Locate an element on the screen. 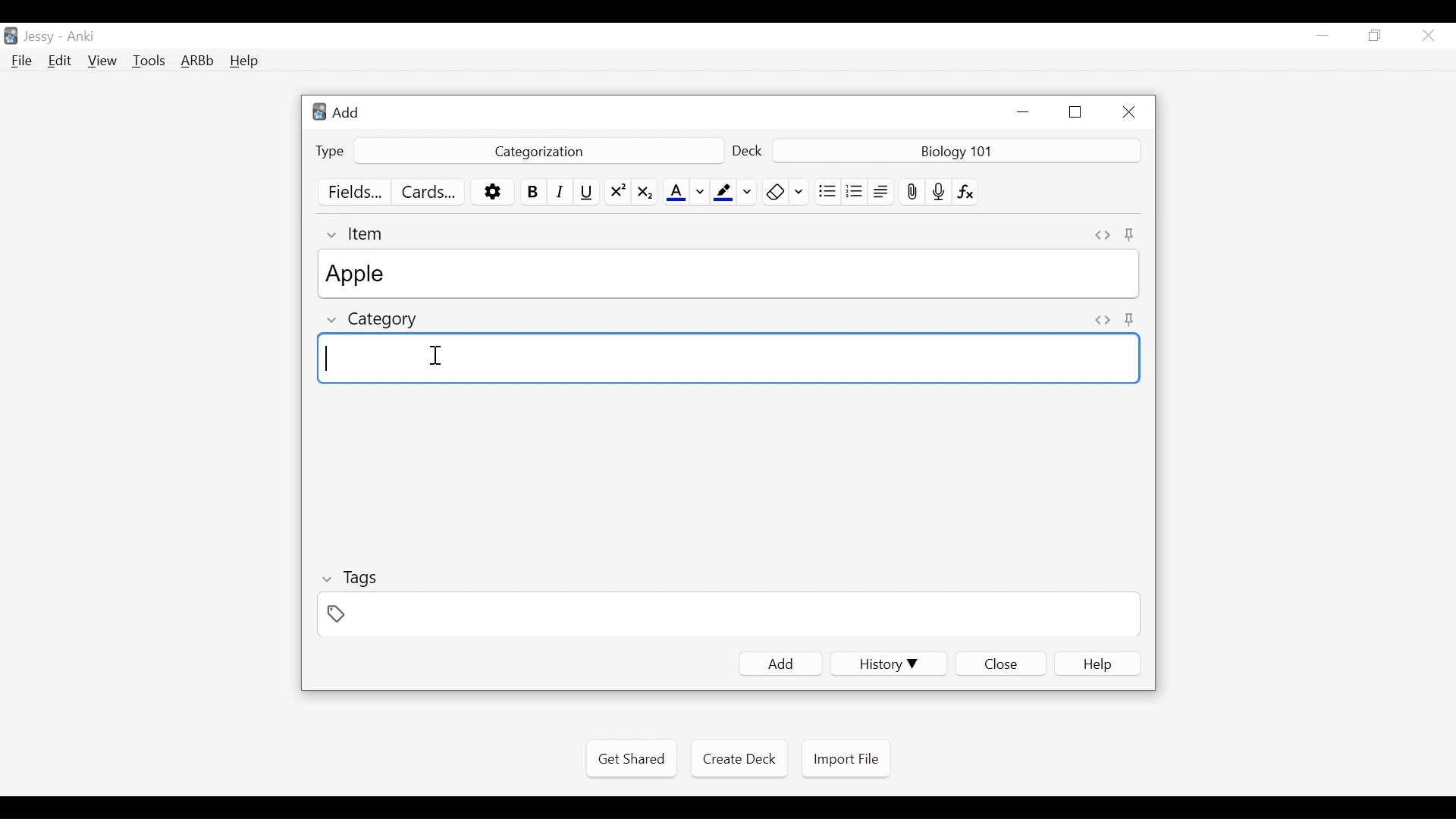 The image size is (1456, 819). Remove Formatting is located at coordinates (786, 192).